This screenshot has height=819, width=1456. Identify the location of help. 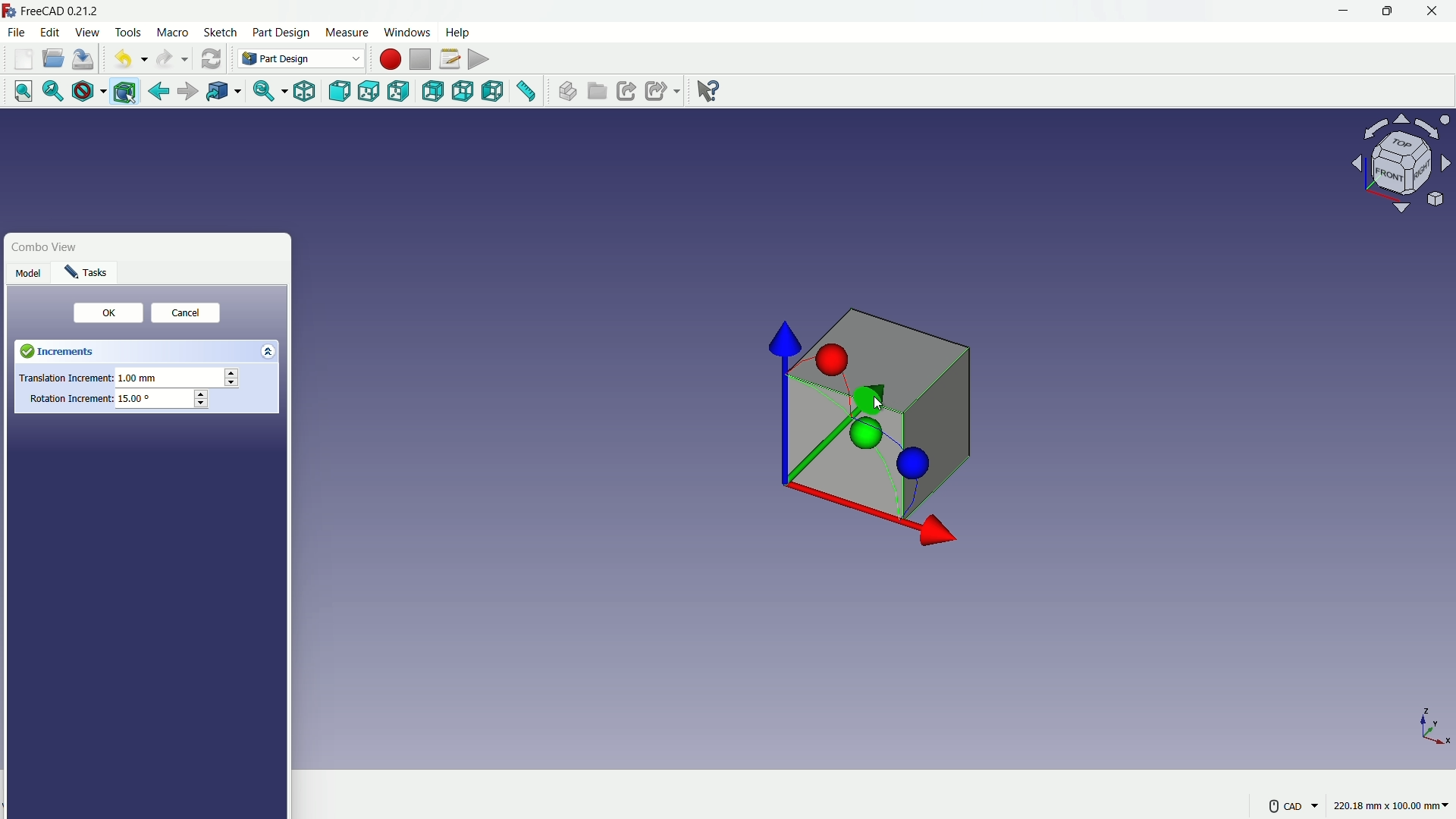
(460, 31).